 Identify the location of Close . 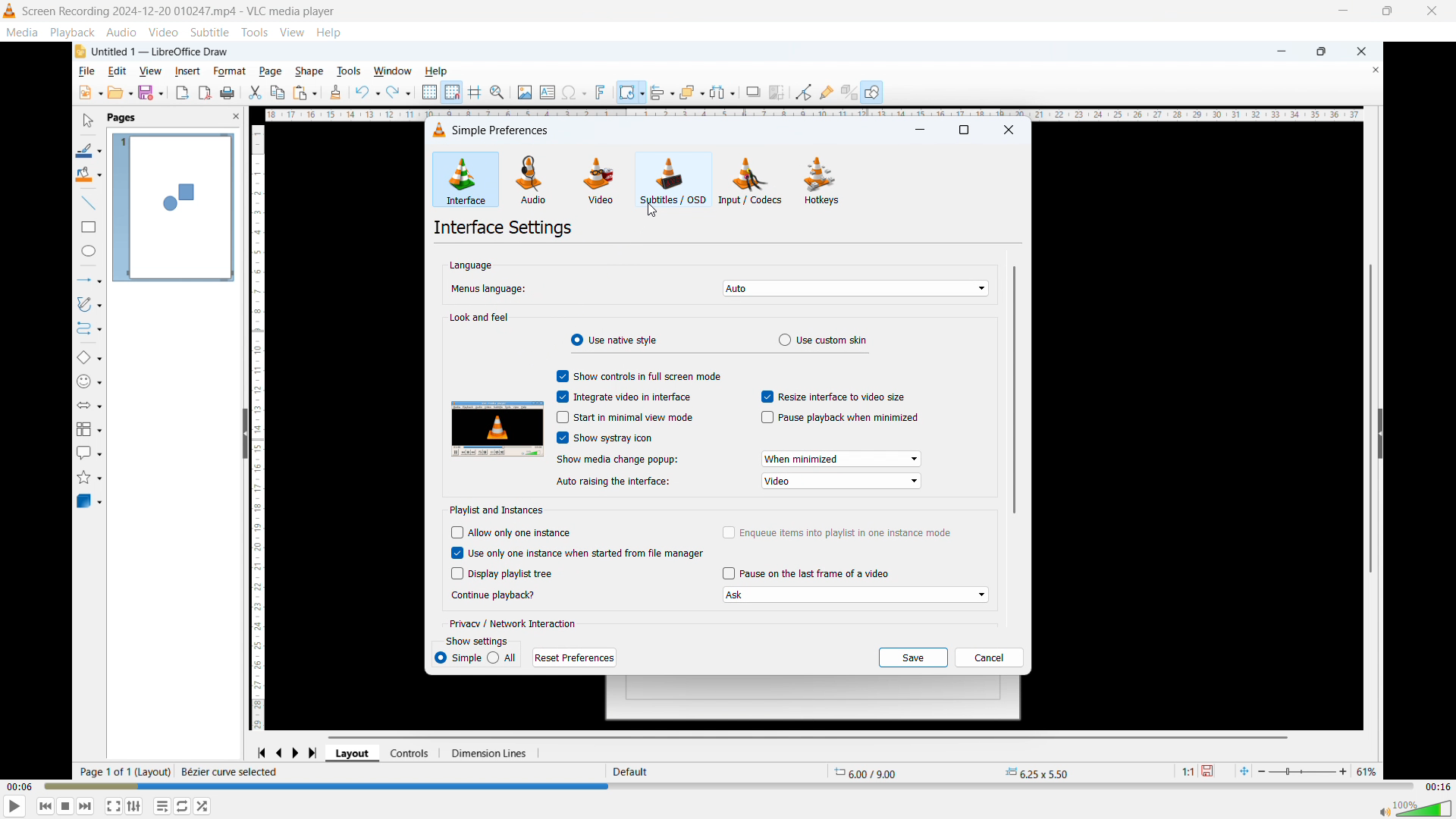
(1010, 130).